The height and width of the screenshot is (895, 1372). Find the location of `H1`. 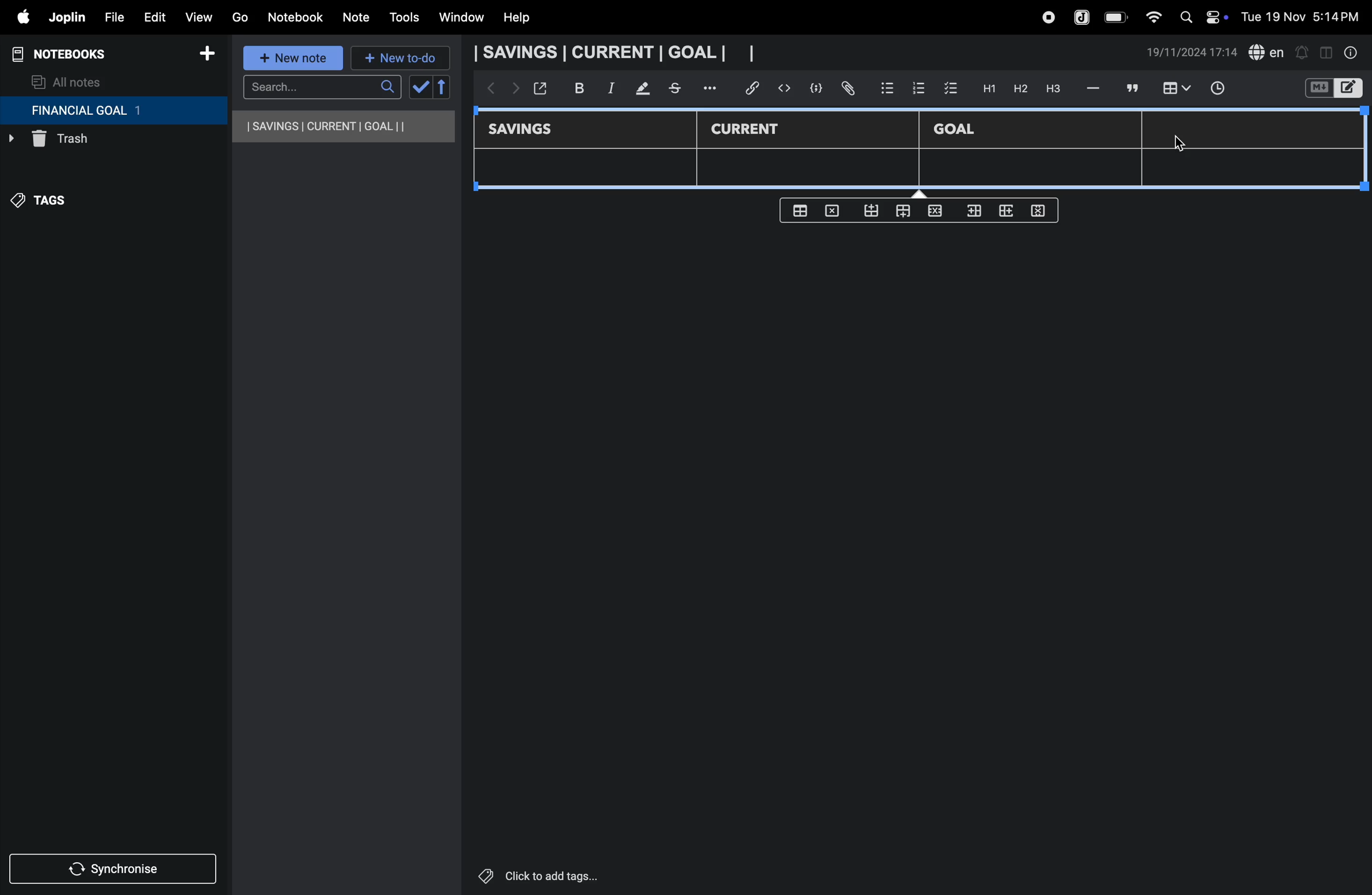

H1 is located at coordinates (987, 89).